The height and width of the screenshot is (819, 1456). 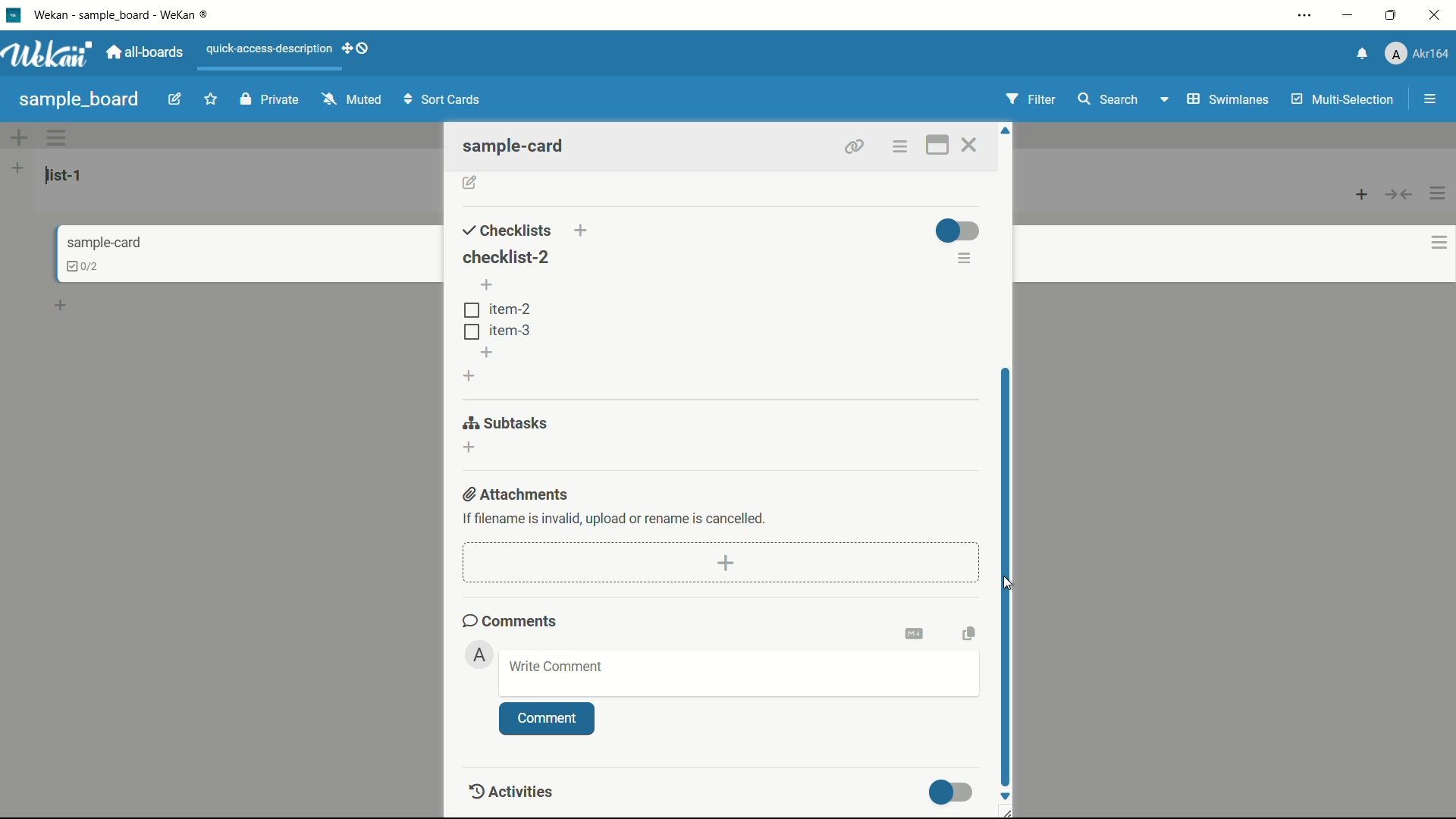 What do you see at coordinates (616, 518) in the screenshot?
I see `text` at bounding box center [616, 518].